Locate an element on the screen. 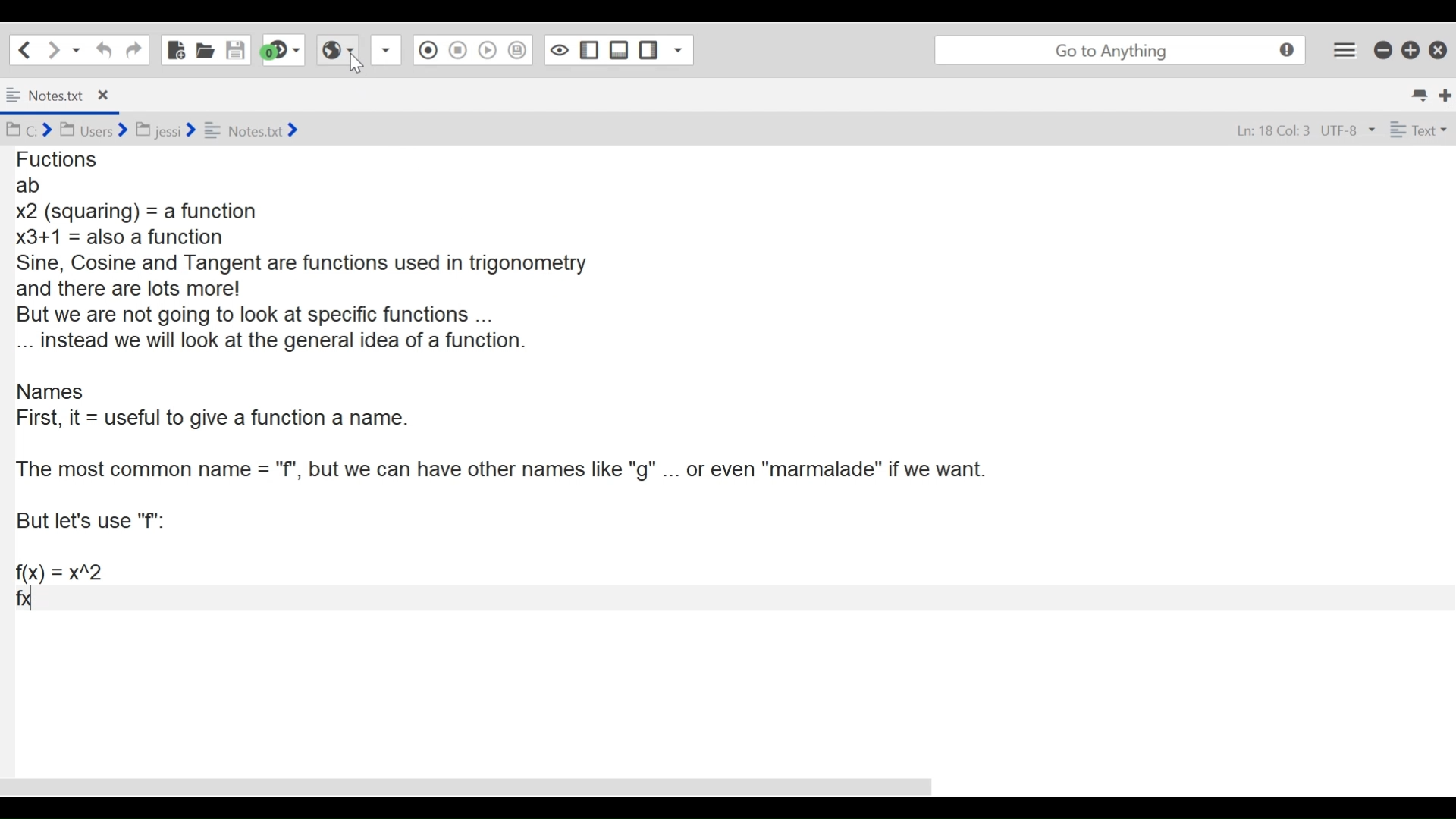 Image resolution: width=1456 pixels, height=819 pixels. text is located at coordinates (1421, 129).